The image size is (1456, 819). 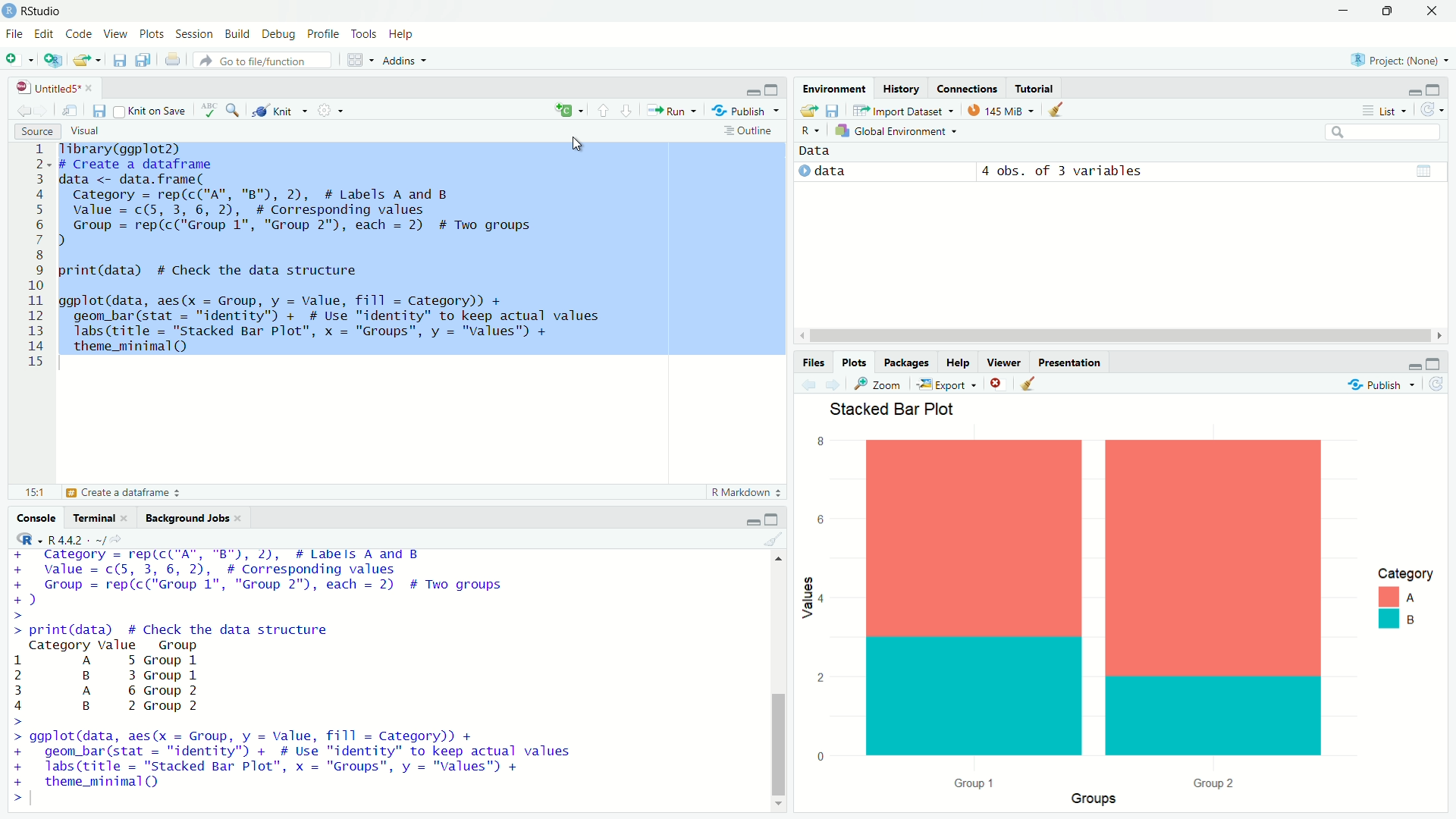 What do you see at coordinates (324, 33) in the screenshot?
I see `Profile` at bounding box center [324, 33].